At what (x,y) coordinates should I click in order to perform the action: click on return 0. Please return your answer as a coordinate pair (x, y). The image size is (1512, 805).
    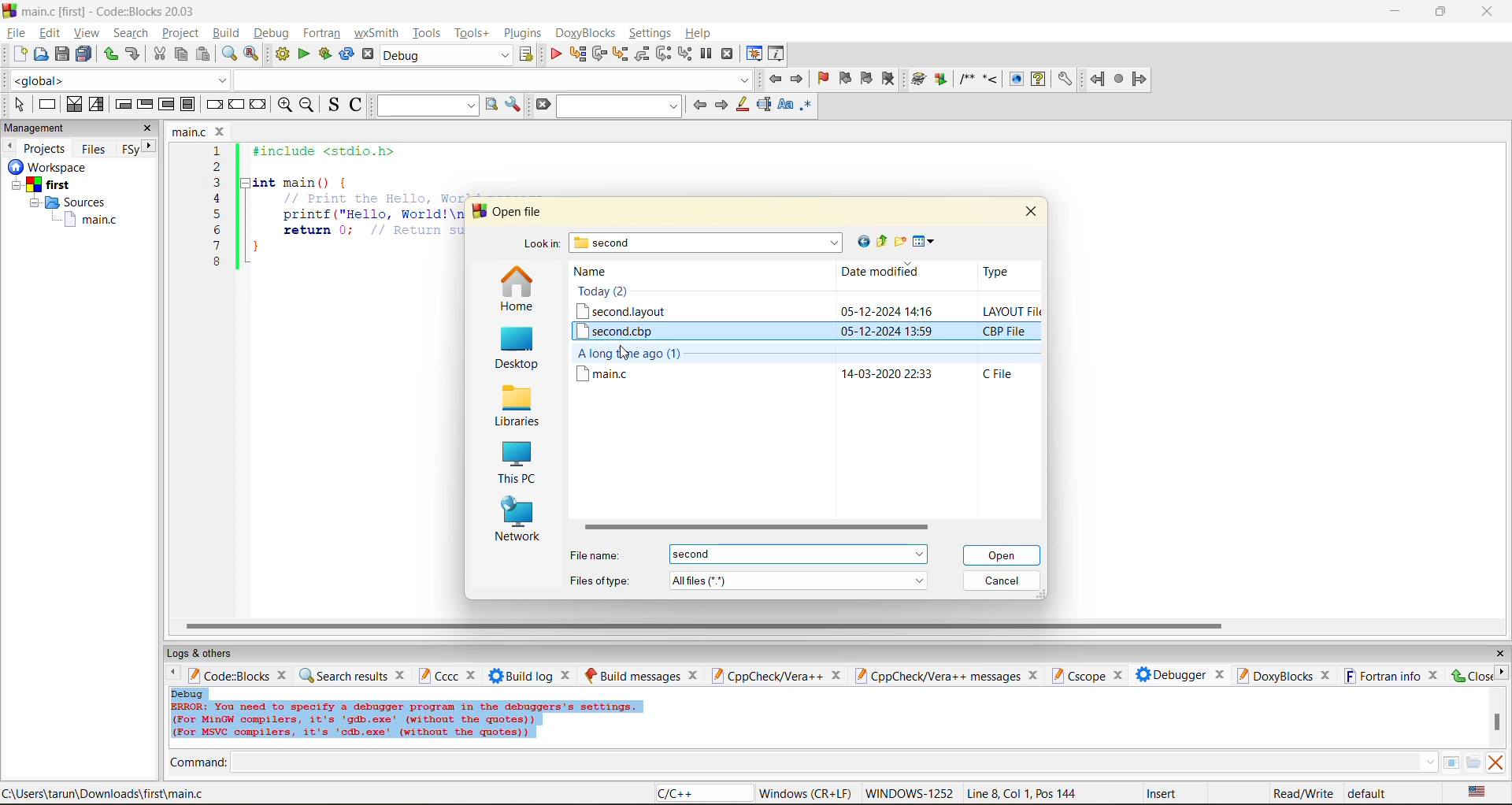
    Looking at the image, I should click on (372, 230).